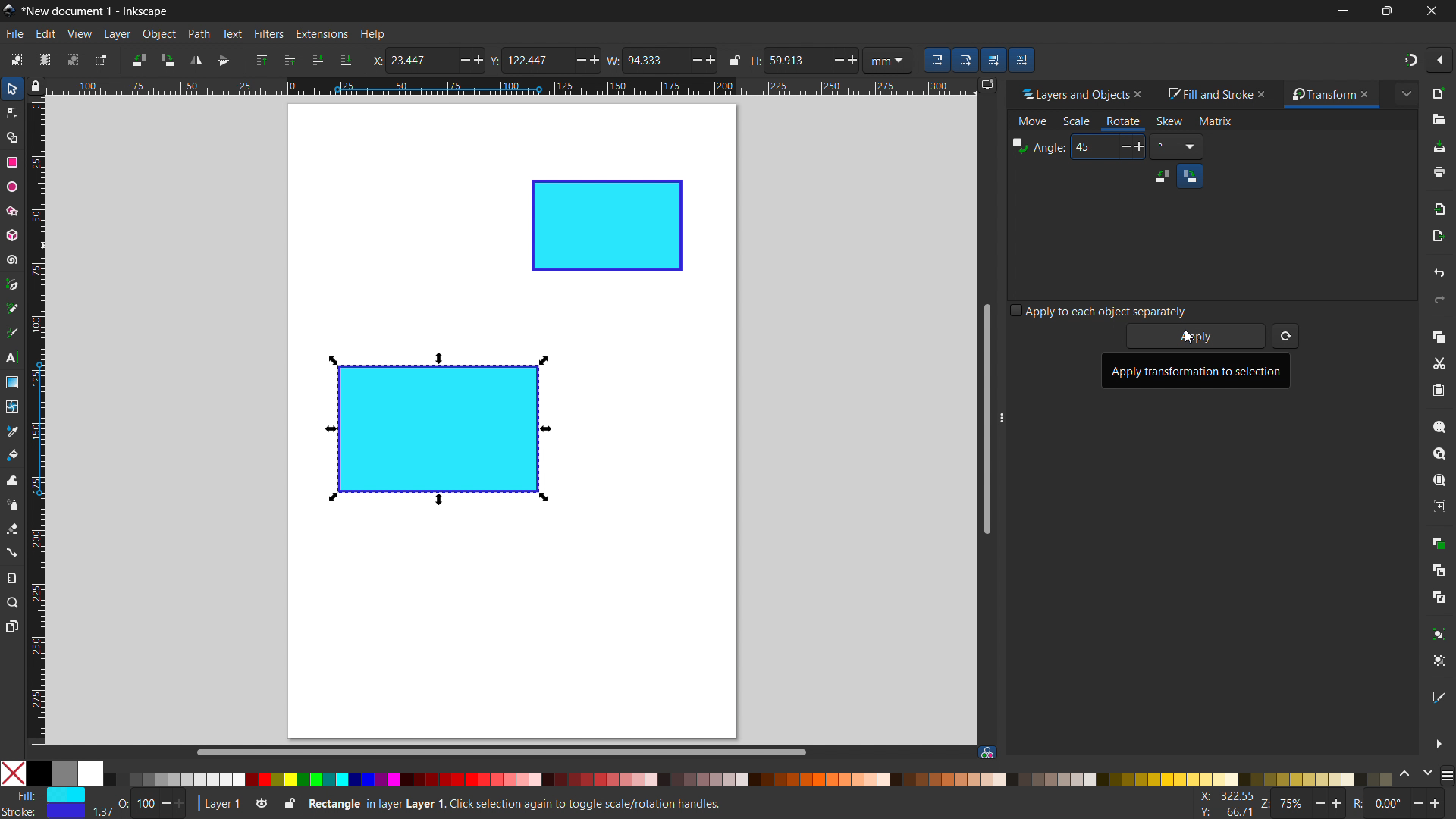  What do you see at coordinates (499, 752) in the screenshot?
I see `horizontal scrollbar` at bounding box center [499, 752].